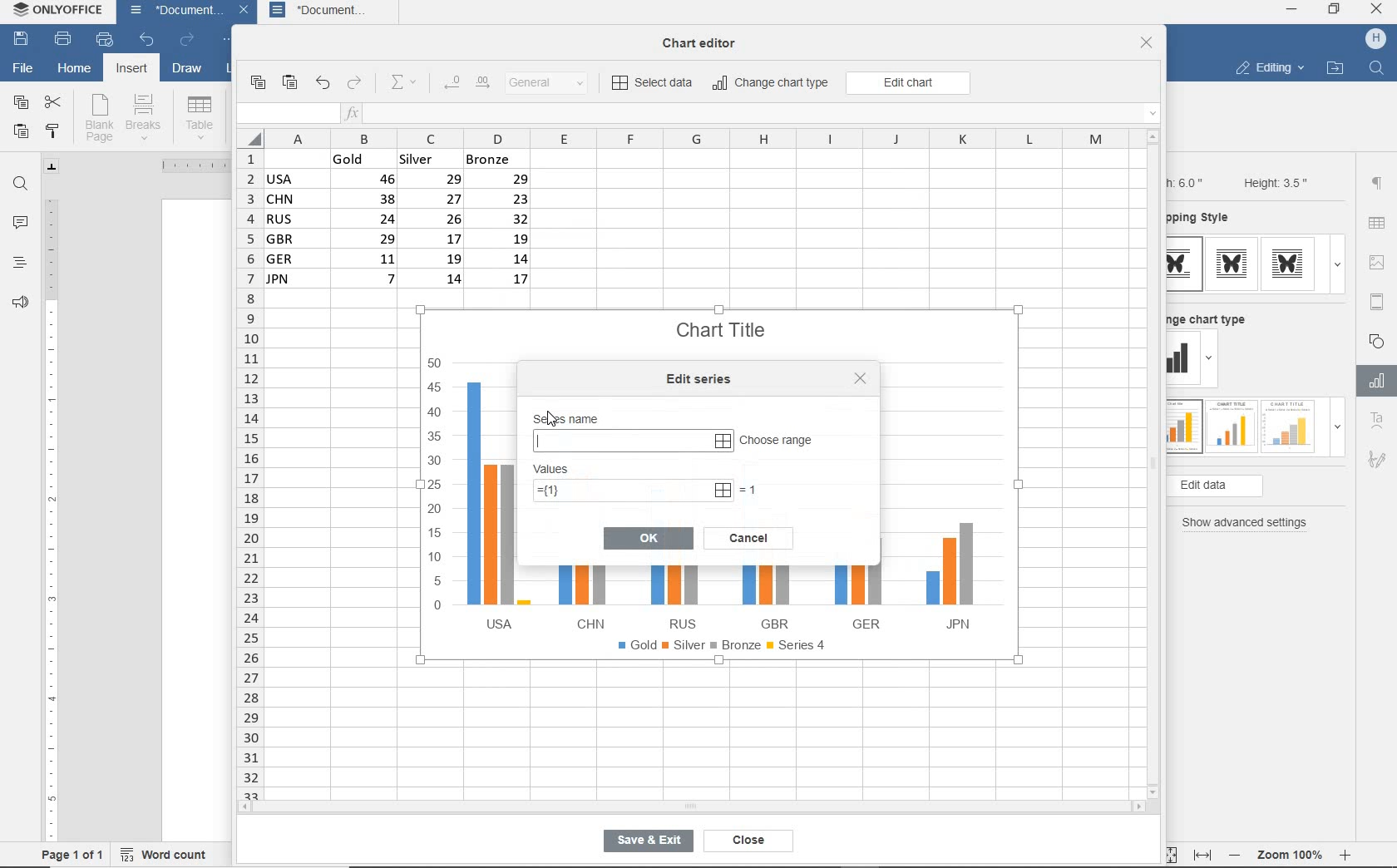 The image size is (1397, 868). What do you see at coordinates (1378, 11) in the screenshot?
I see `close` at bounding box center [1378, 11].